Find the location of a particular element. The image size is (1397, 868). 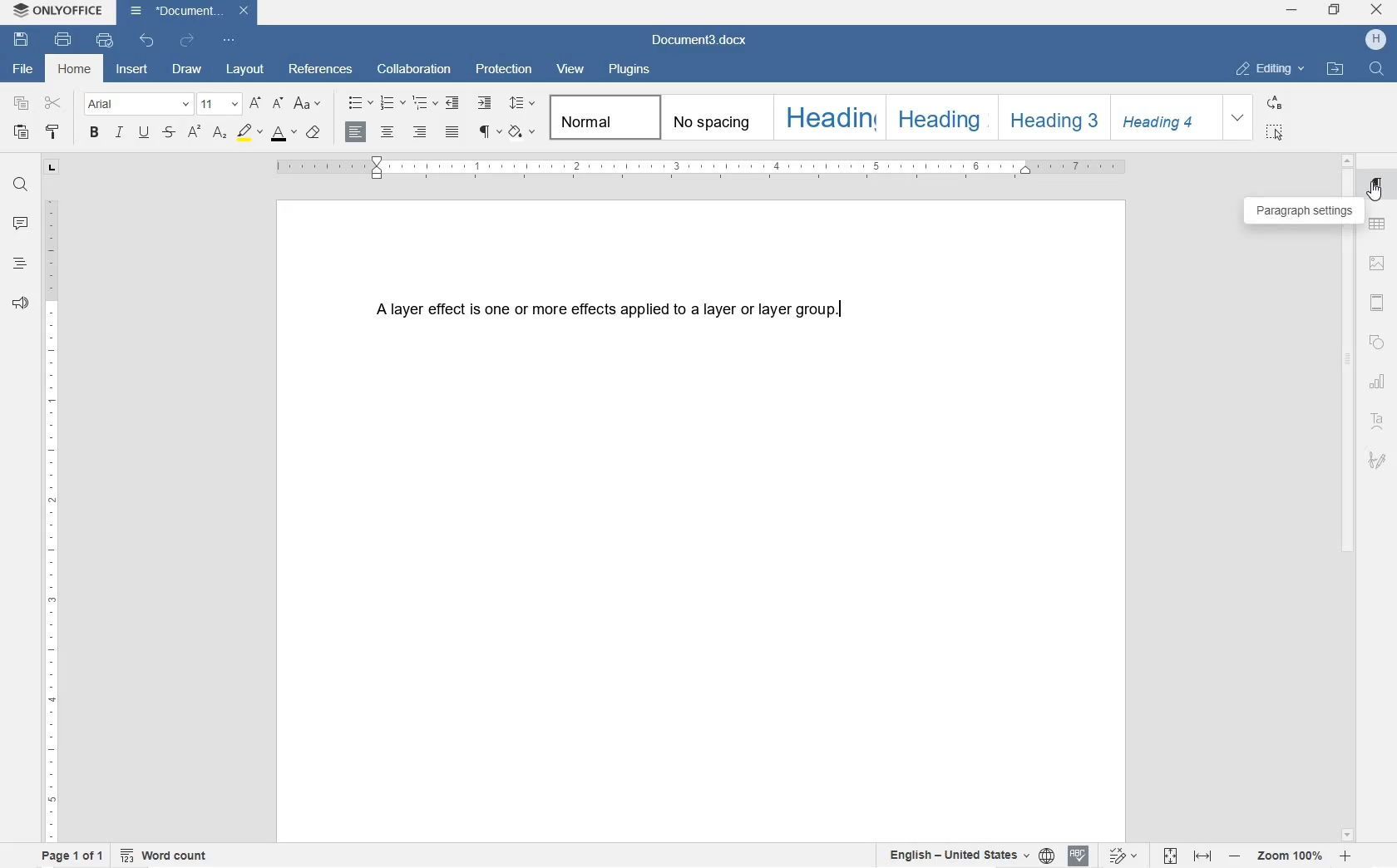

LAYOUT is located at coordinates (243, 71).